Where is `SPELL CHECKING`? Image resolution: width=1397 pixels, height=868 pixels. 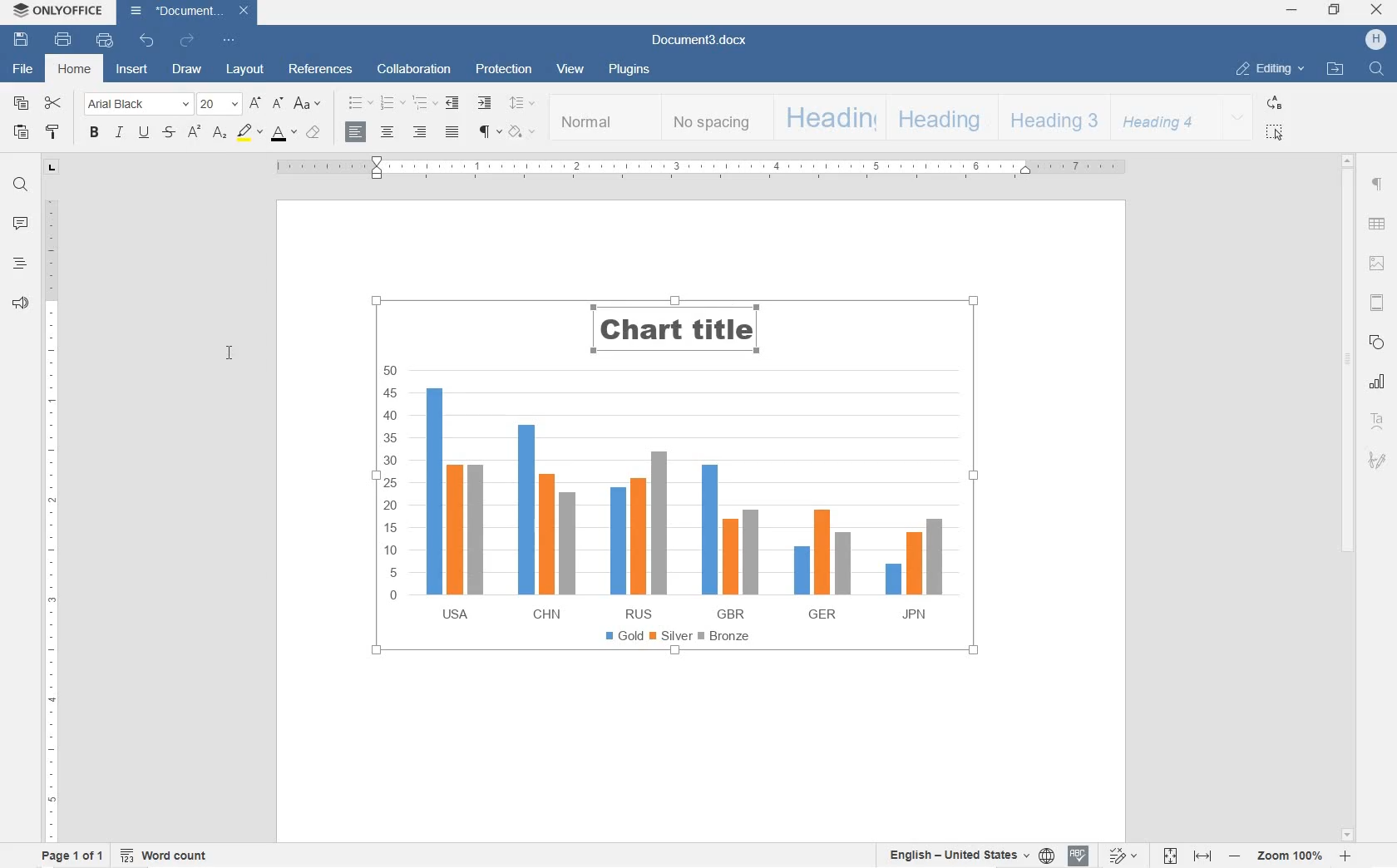 SPELL CHECKING is located at coordinates (1079, 856).